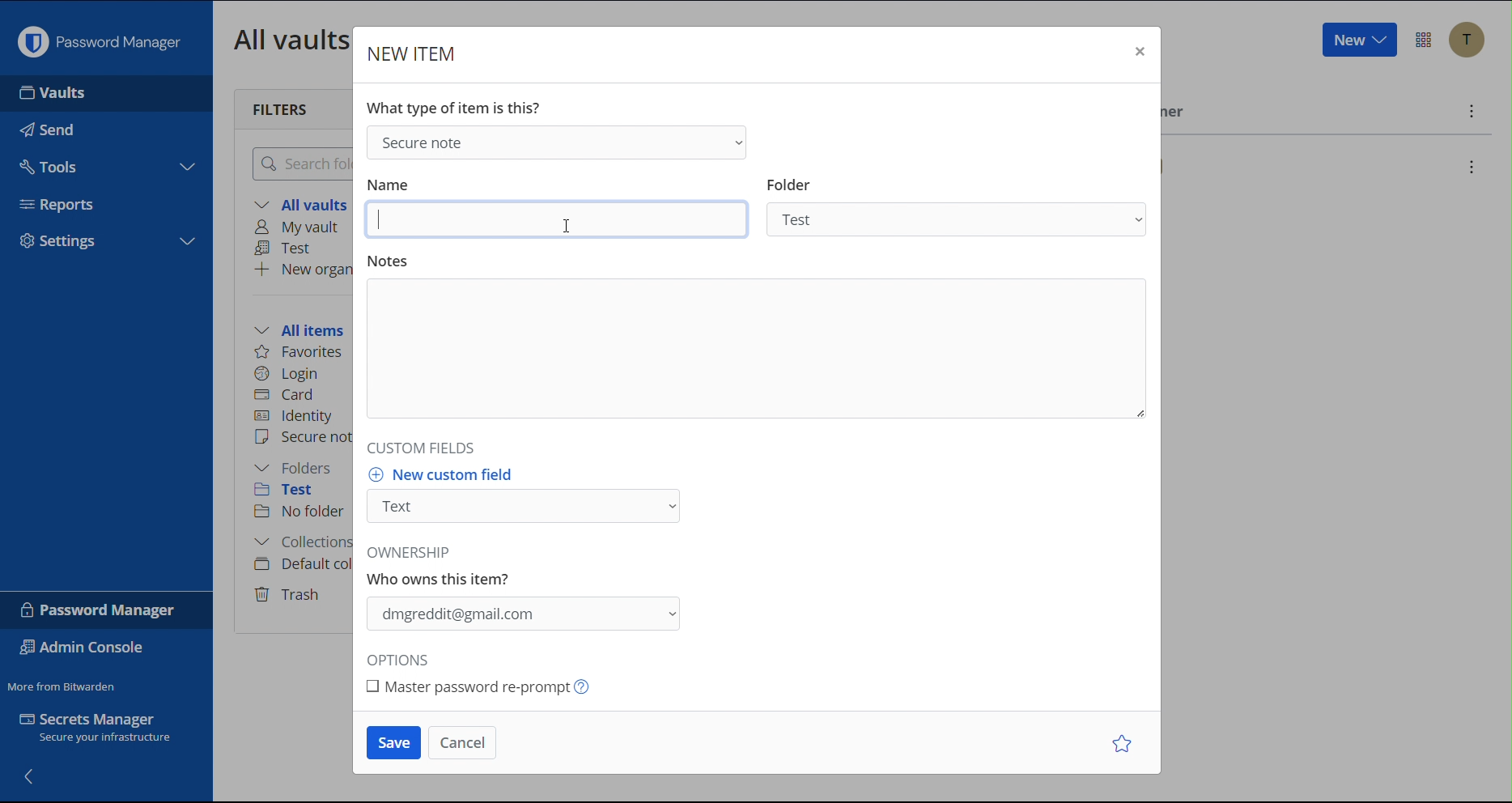 The image size is (1512, 803). Describe the element at coordinates (559, 208) in the screenshot. I see `Name` at that location.